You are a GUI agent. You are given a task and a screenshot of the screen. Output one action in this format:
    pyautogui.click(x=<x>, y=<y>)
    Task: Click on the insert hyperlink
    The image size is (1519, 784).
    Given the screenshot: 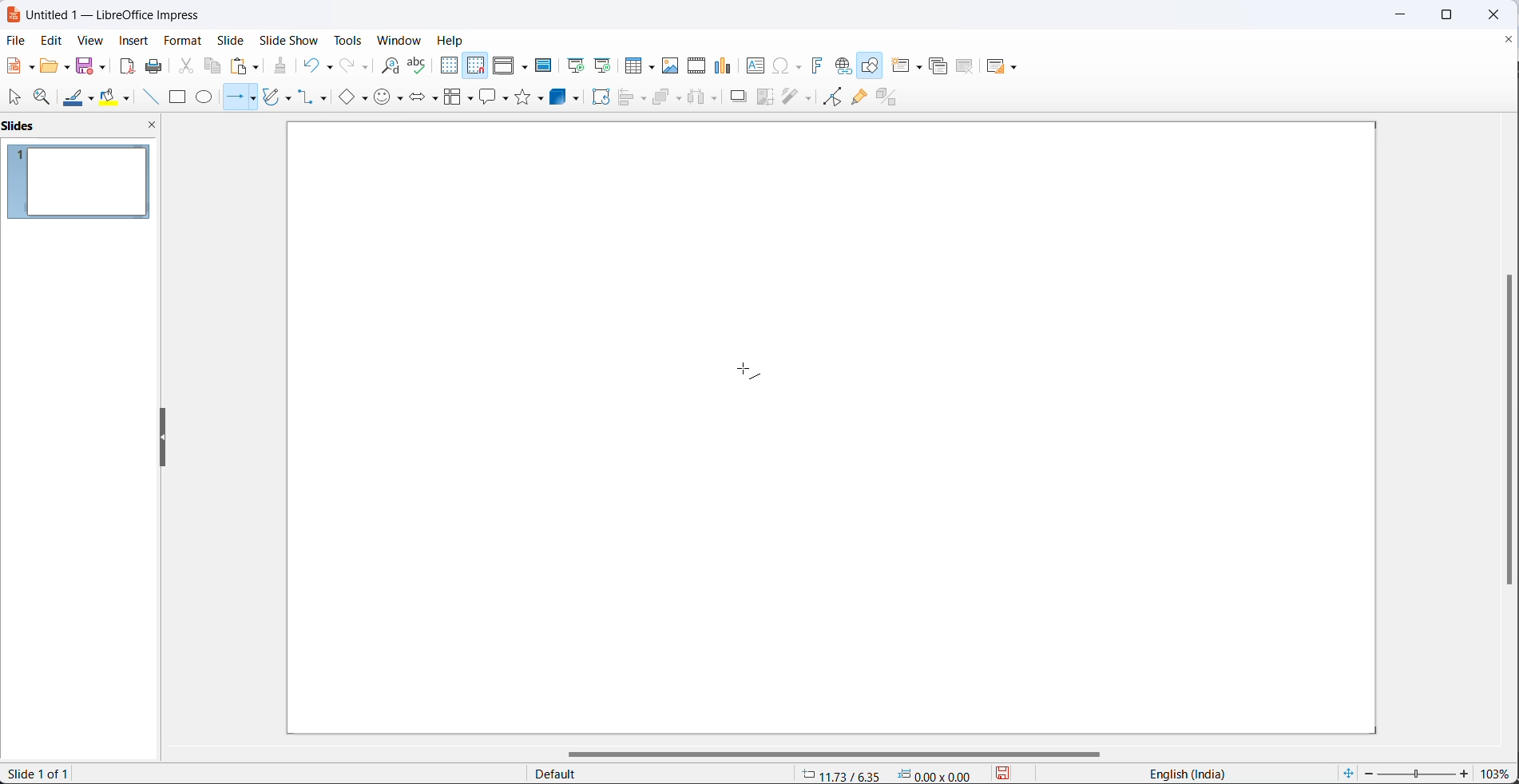 What is the action you would take?
    pyautogui.click(x=842, y=66)
    